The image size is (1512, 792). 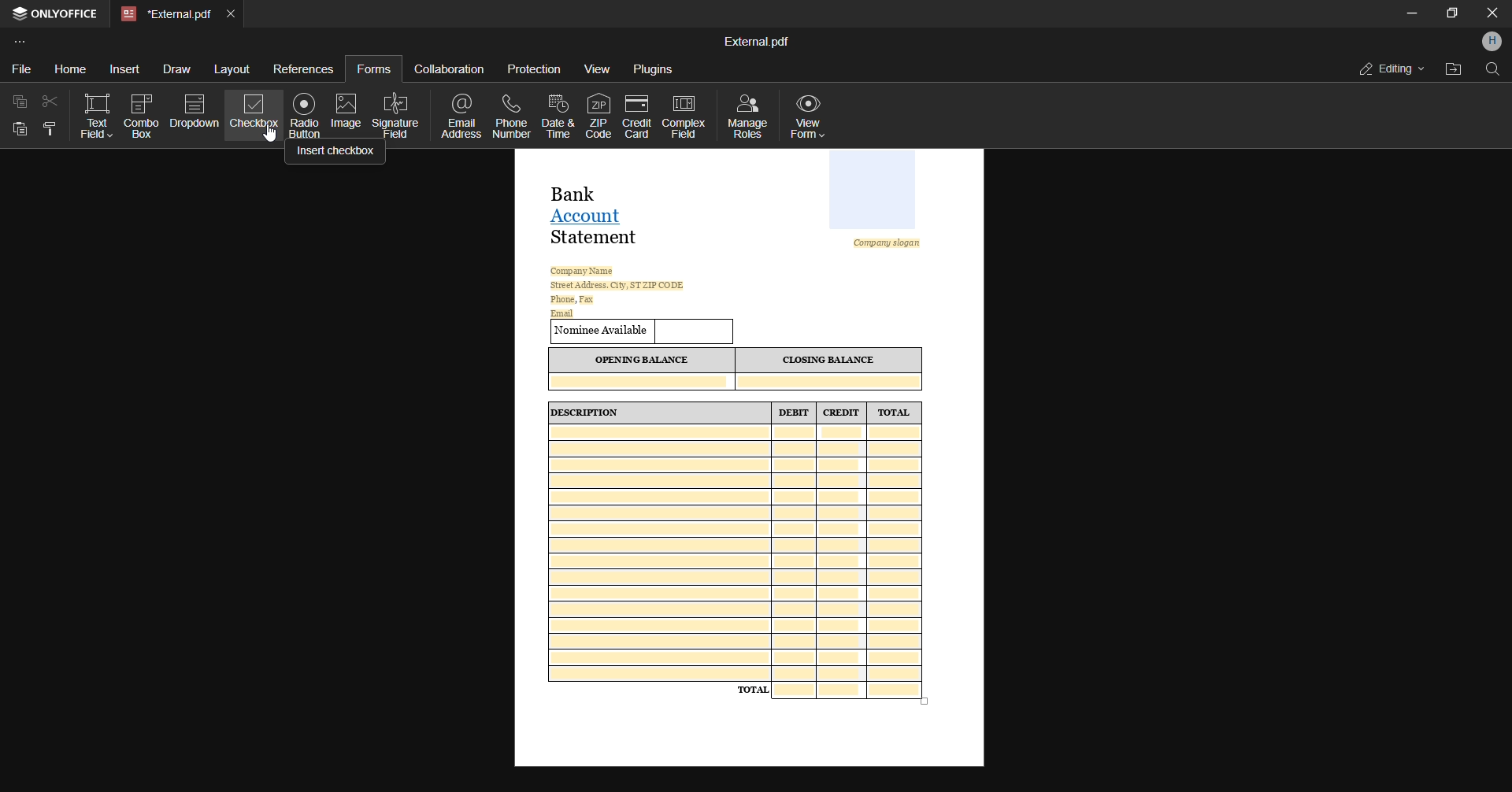 What do you see at coordinates (120, 68) in the screenshot?
I see `insert` at bounding box center [120, 68].